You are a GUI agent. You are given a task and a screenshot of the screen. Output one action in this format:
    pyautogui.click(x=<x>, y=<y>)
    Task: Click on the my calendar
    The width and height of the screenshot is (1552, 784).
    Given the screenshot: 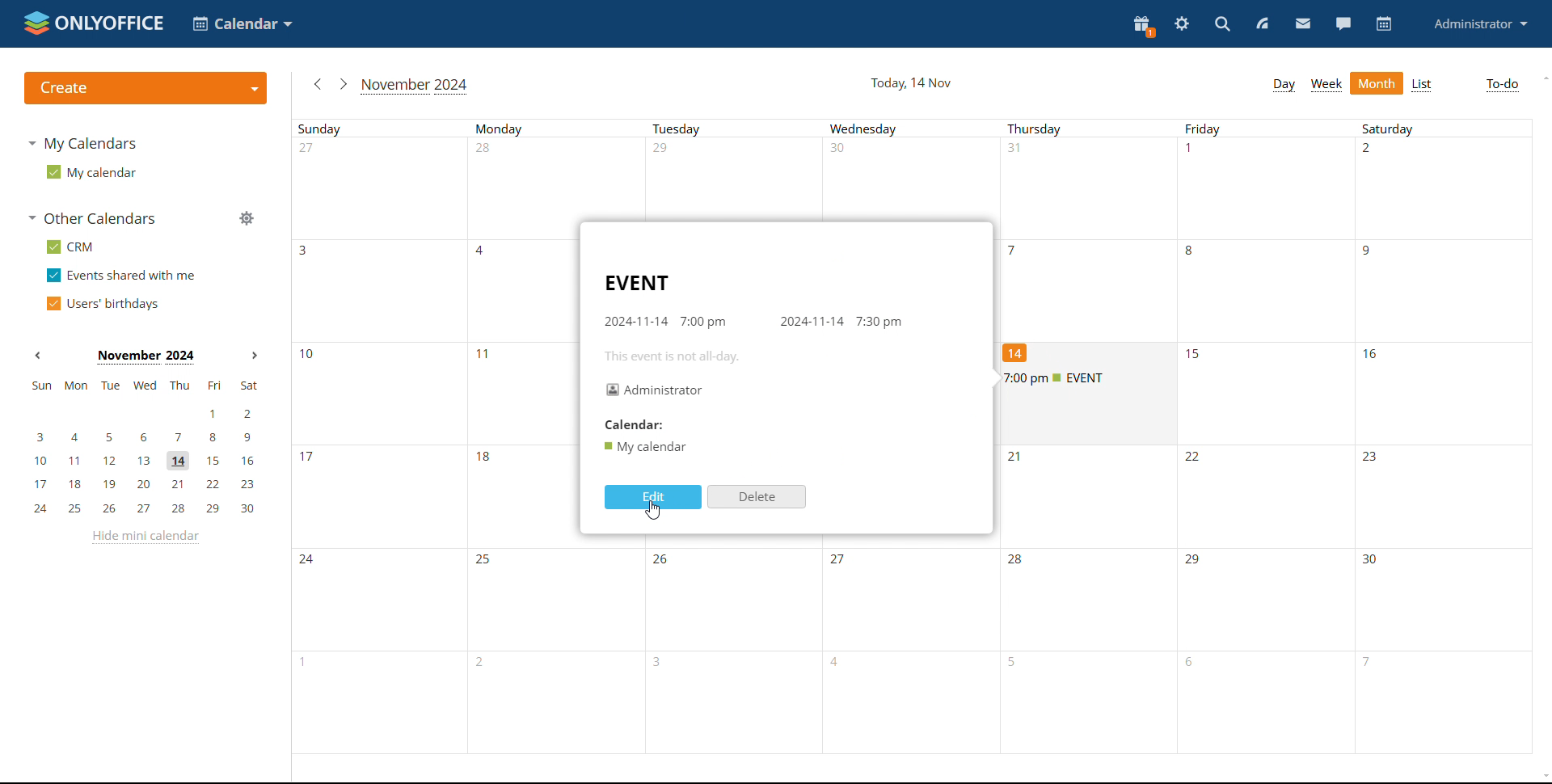 What is the action you would take?
    pyautogui.click(x=90, y=172)
    